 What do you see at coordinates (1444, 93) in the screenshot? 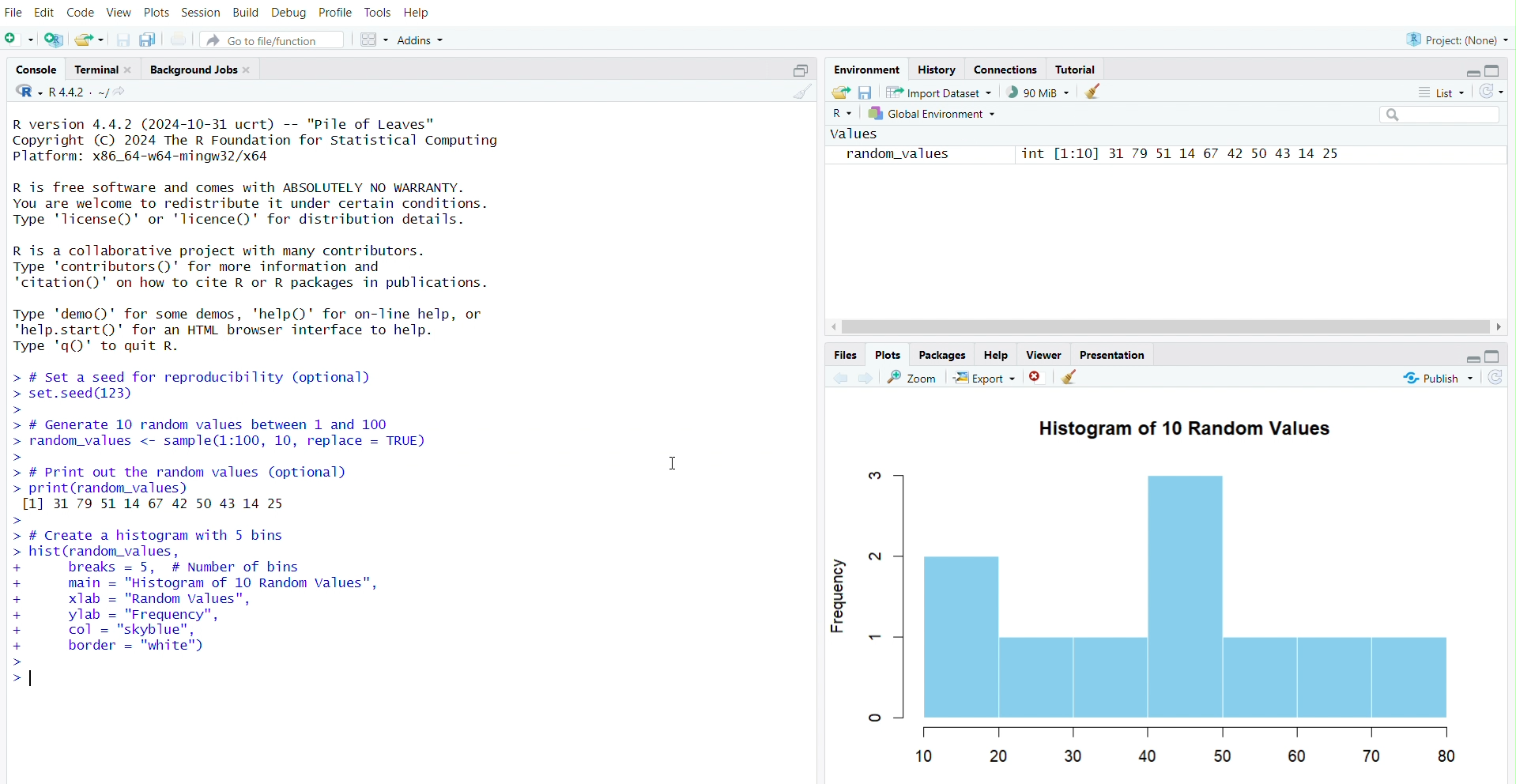
I see `list` at bounding box center [1444, 93].